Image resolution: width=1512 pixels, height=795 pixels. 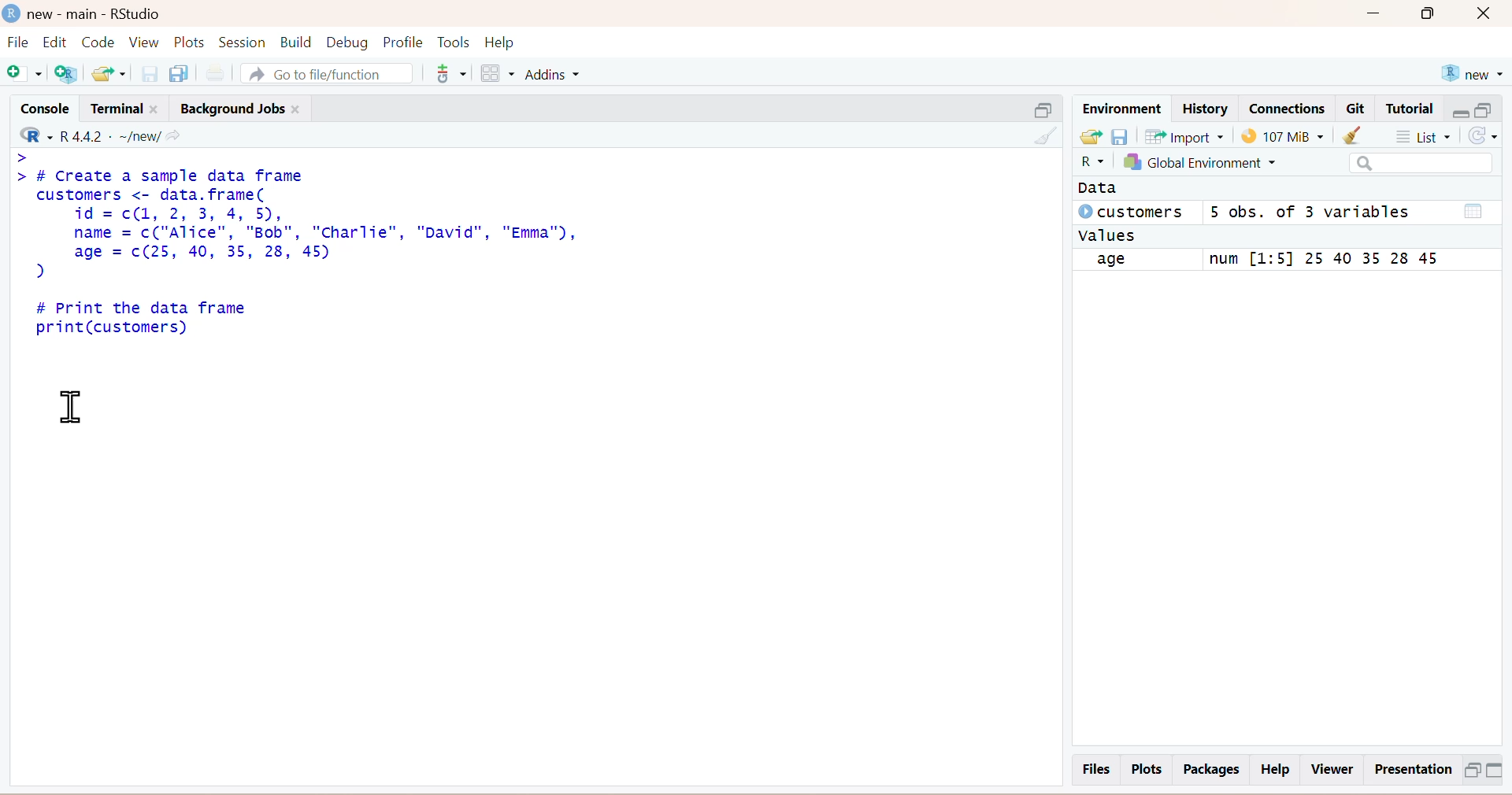 What do you see at coordinates (292, 42) in the screenshot?
I see `Build` at bounding box center [292, 42].